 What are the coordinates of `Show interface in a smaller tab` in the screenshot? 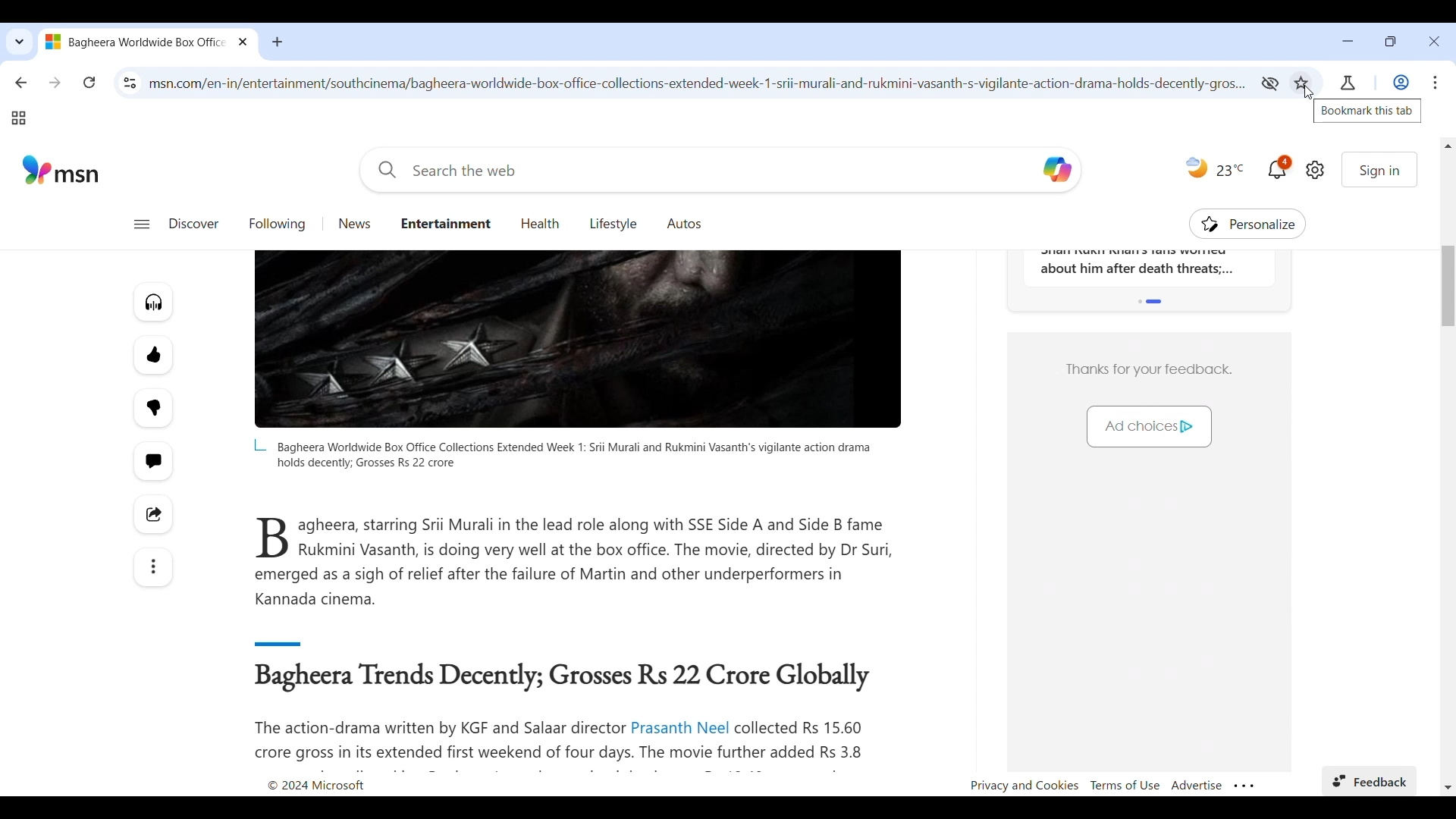 It's located at (1391, 41).